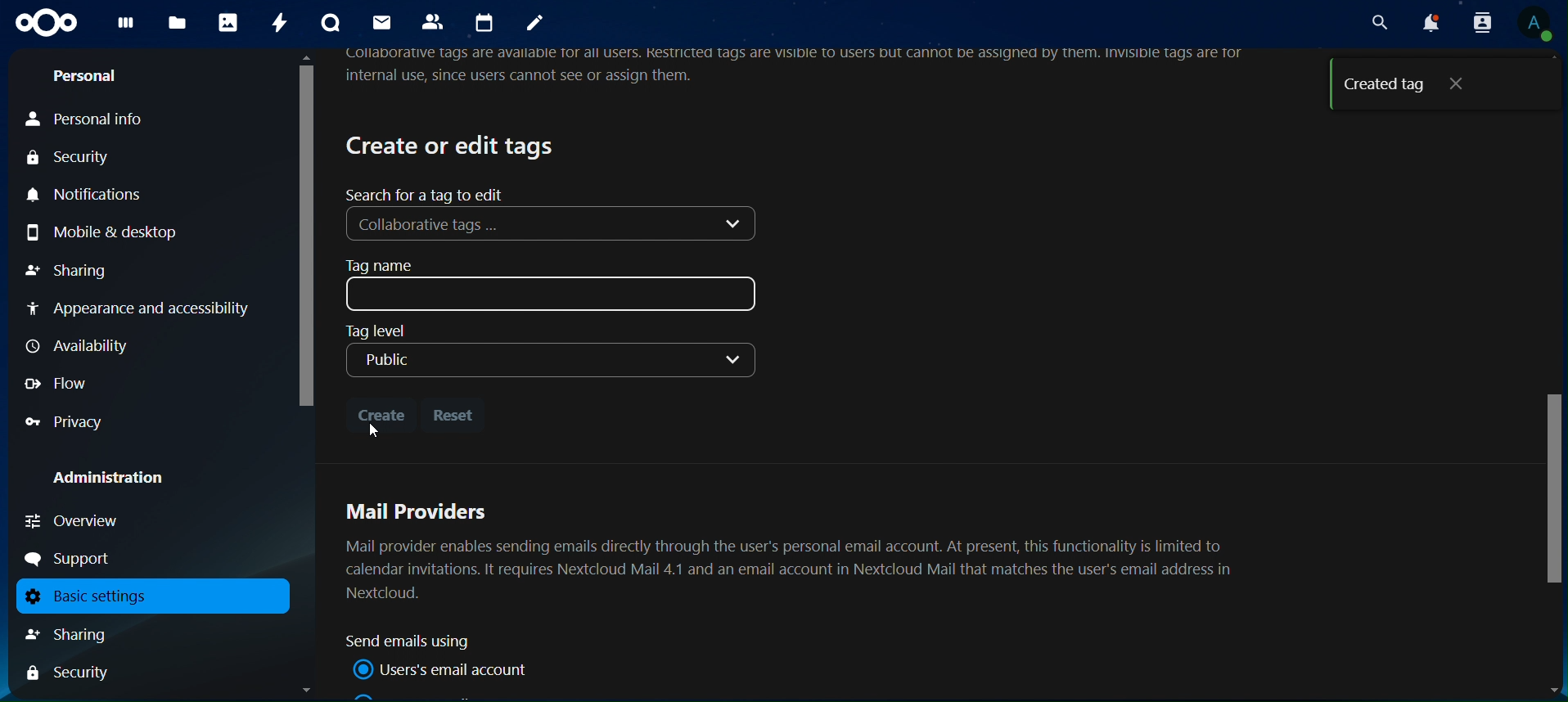 The image size is (1568, 702). I want to click on Cursor, so click(375, 430).